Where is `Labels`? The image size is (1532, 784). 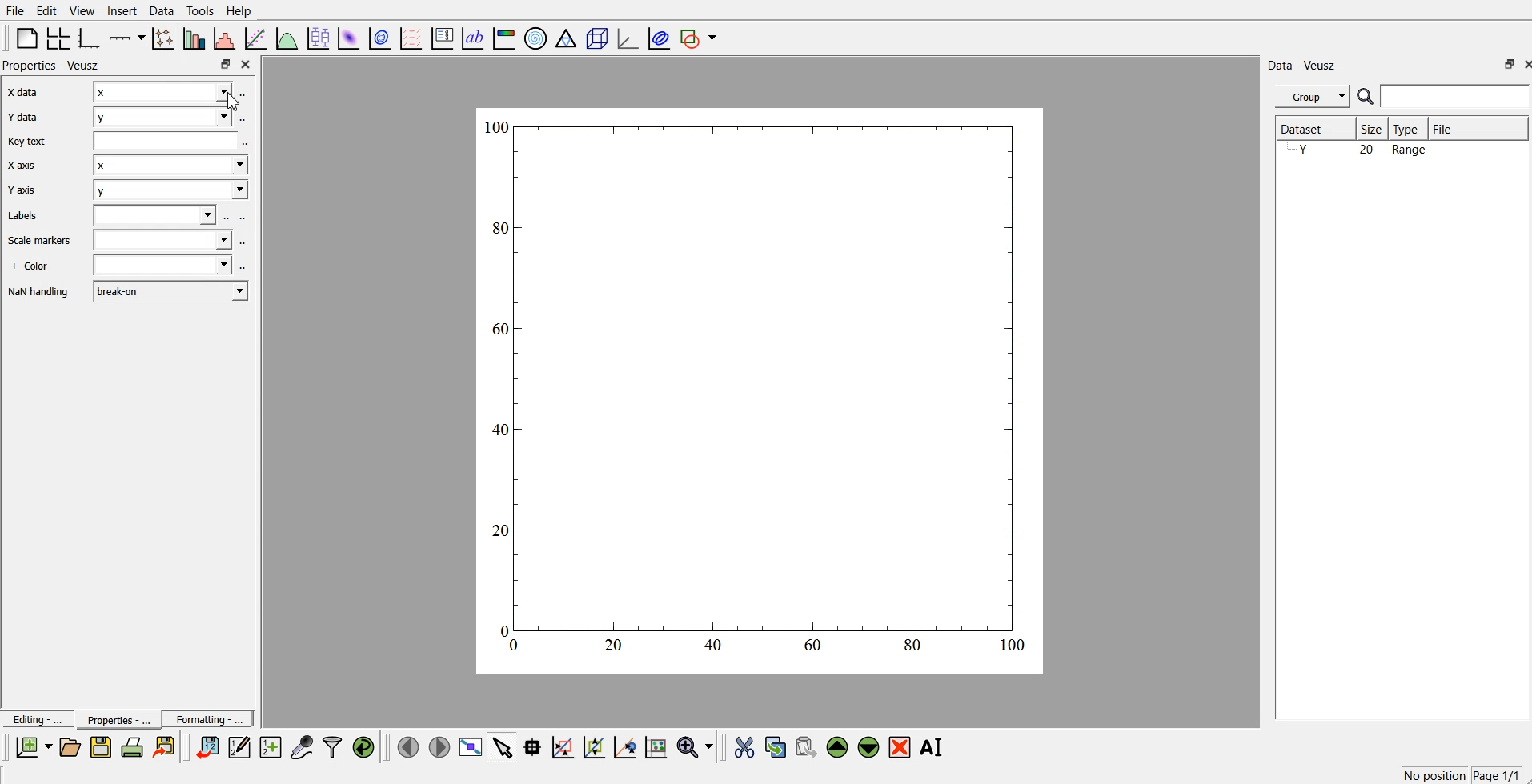 Labels is located at coordinates (23, 217).